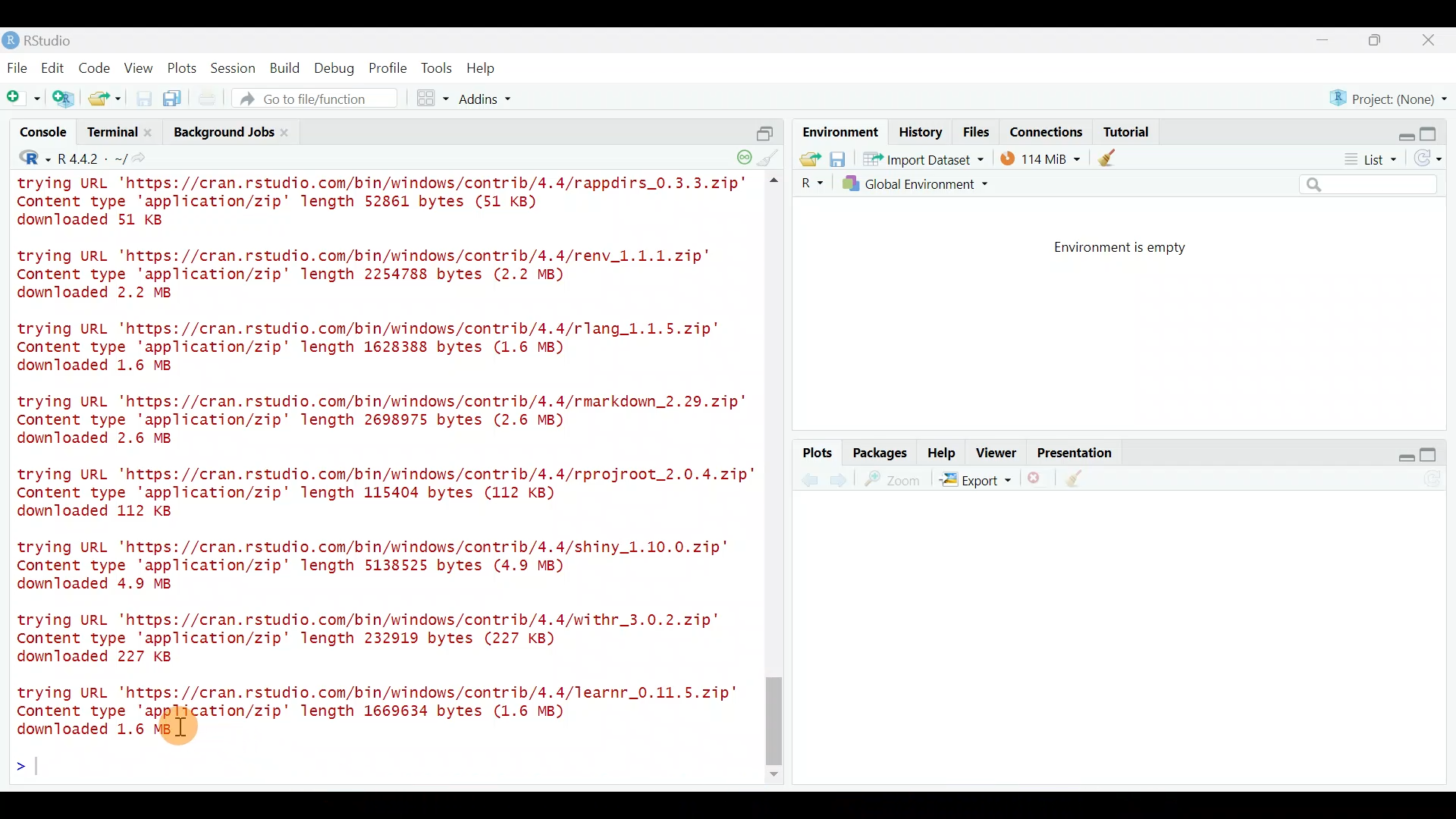 The height and width of the screenshot is (819, 1456). Describe the element at coordinates (975, 482) in the screenshot. I see `Export` at that location.